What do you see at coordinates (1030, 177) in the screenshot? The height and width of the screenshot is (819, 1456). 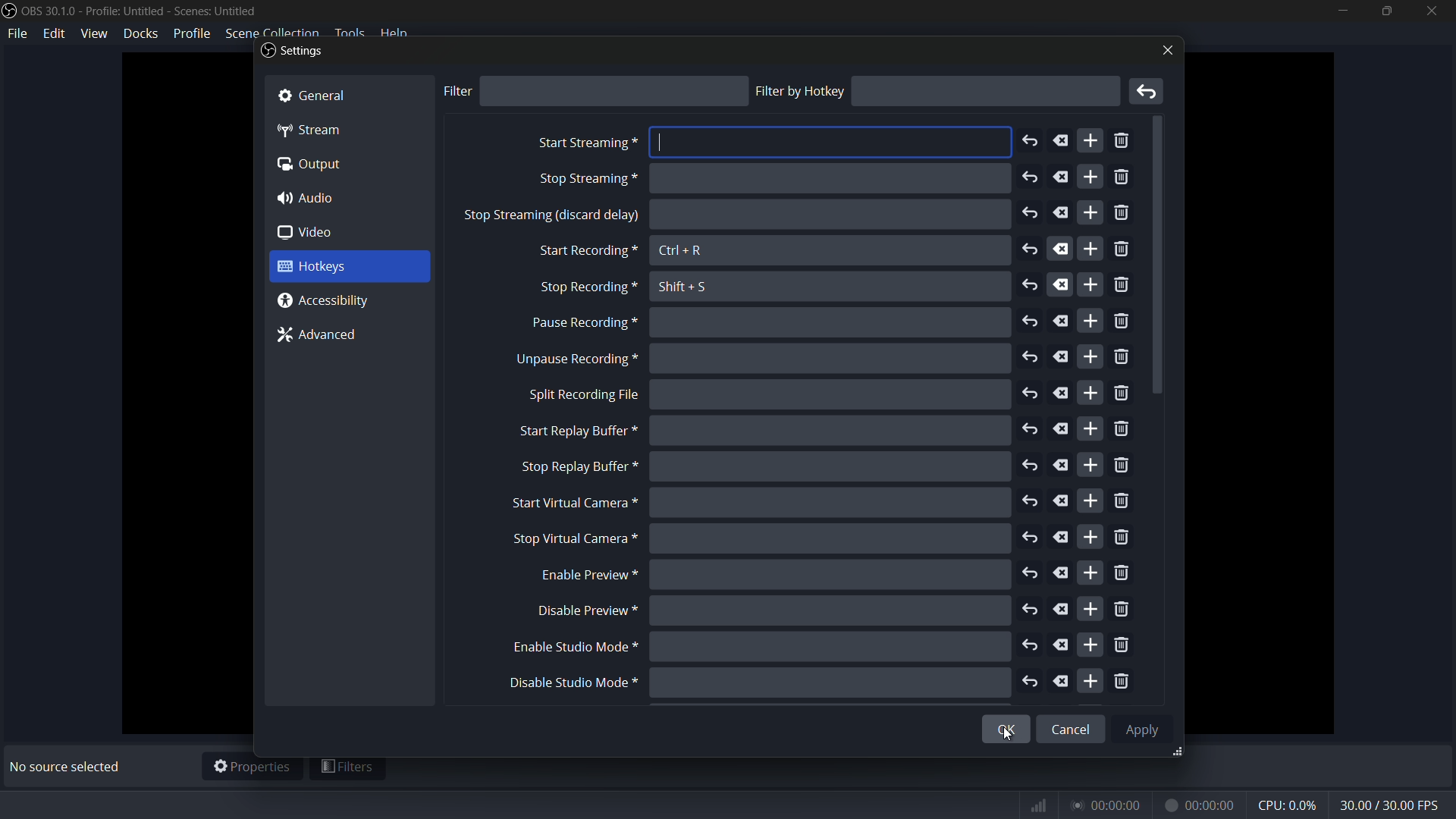 I see `undo` at bounding box center [1030, 177].